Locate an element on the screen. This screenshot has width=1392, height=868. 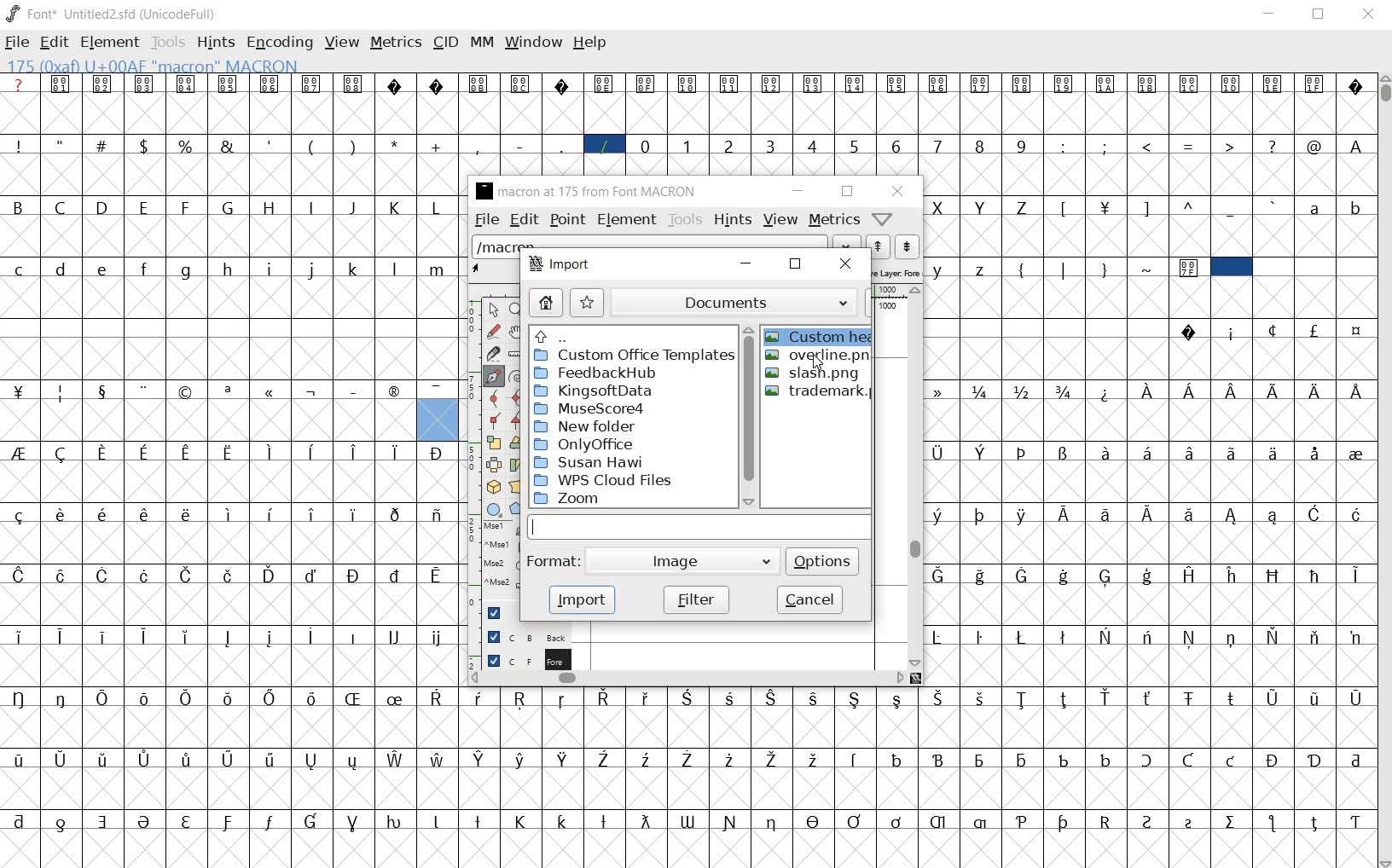
* is located at coordinates (396, 144).